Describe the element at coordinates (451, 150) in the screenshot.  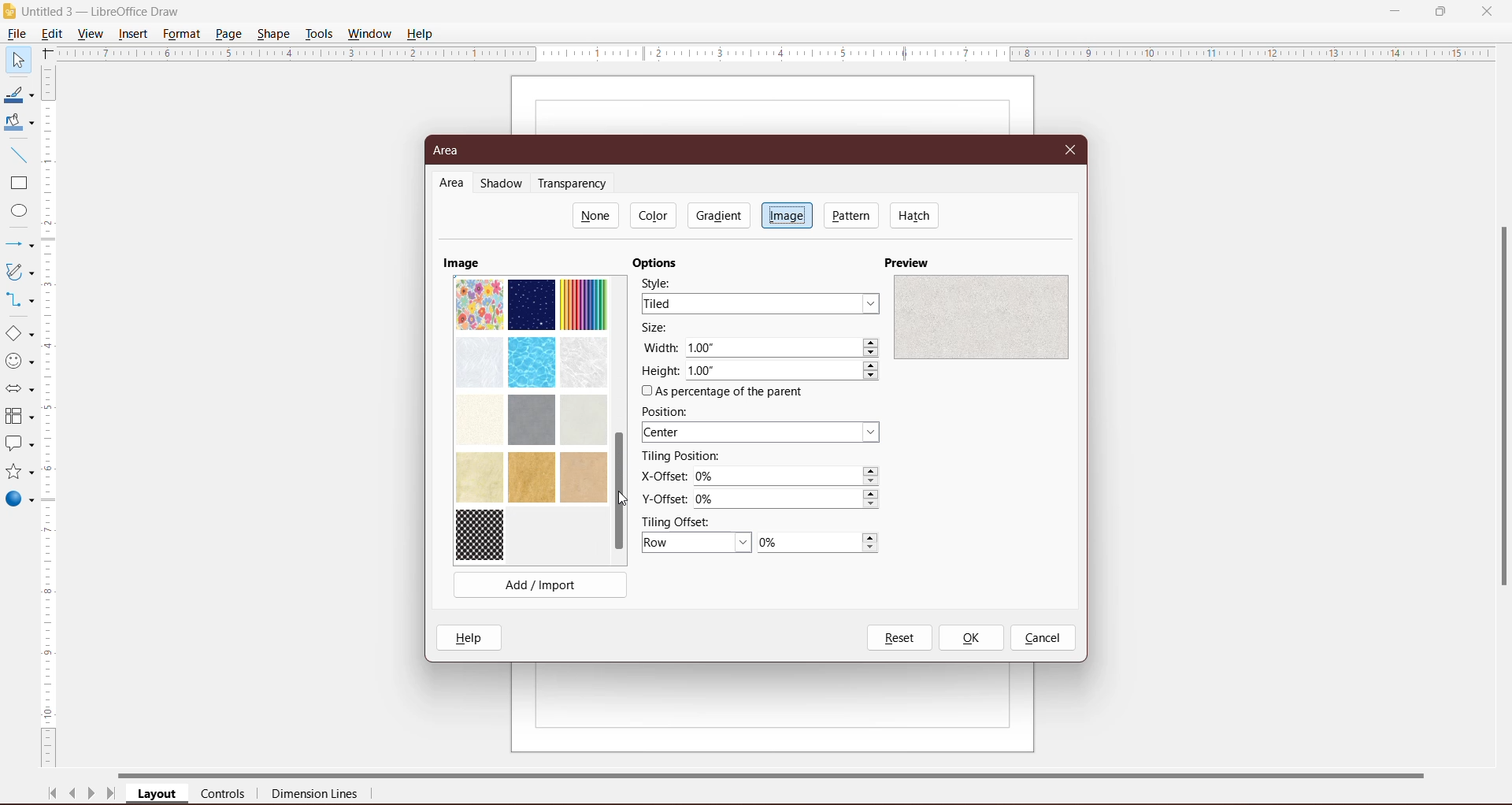
I see `Area` at that location.